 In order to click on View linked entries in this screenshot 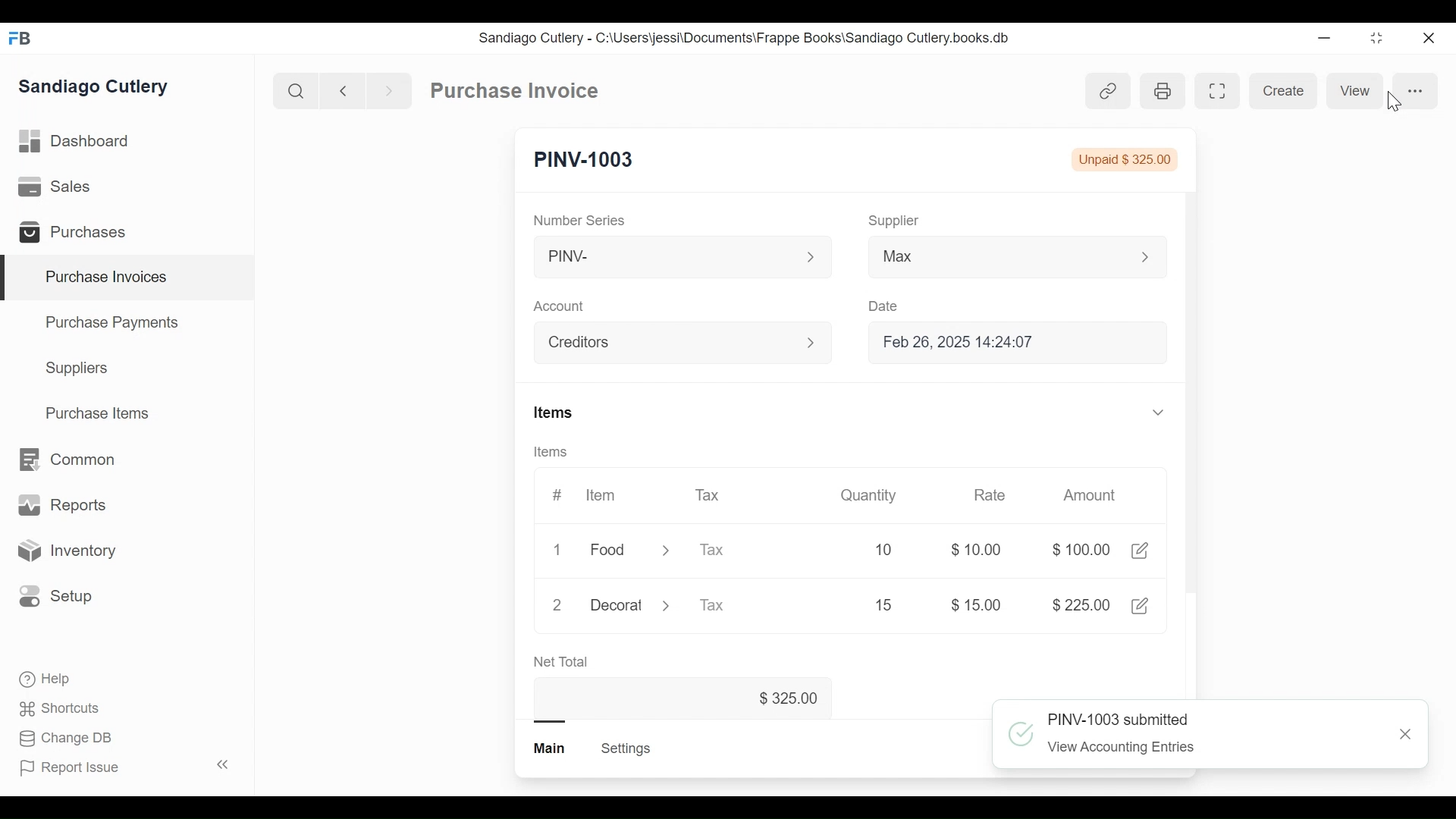, I will do `click(1107, 90)`.